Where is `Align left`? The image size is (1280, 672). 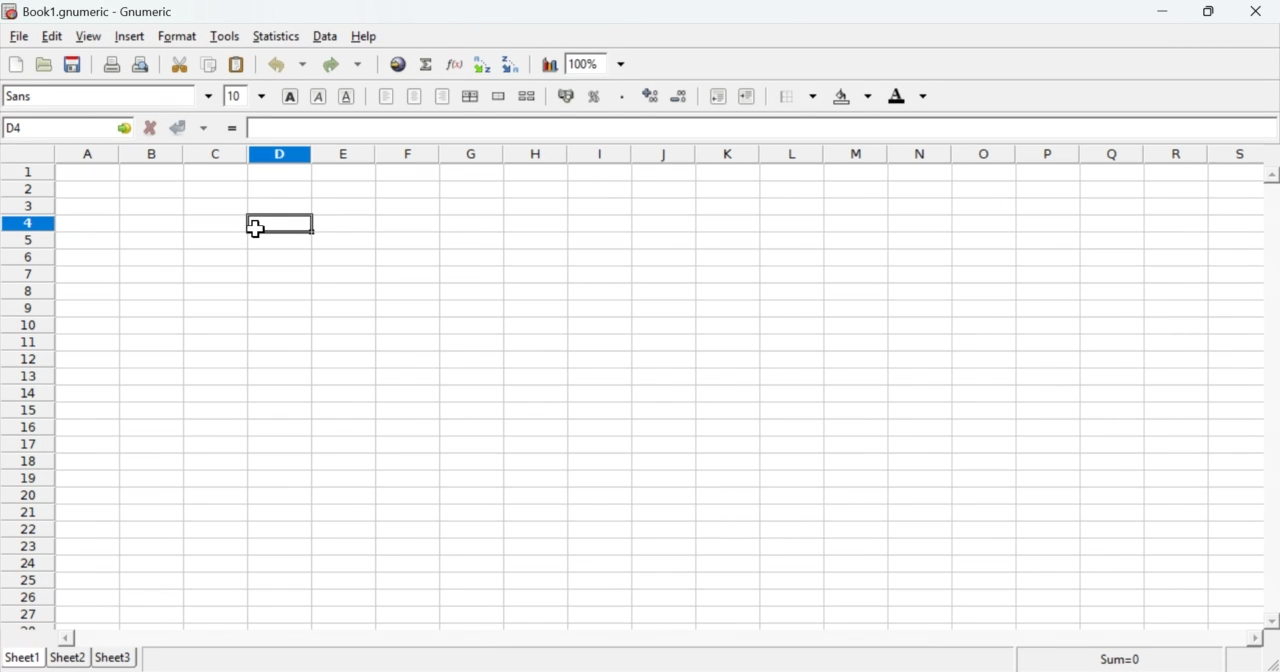 Align left is located at coordinates (386, 96).